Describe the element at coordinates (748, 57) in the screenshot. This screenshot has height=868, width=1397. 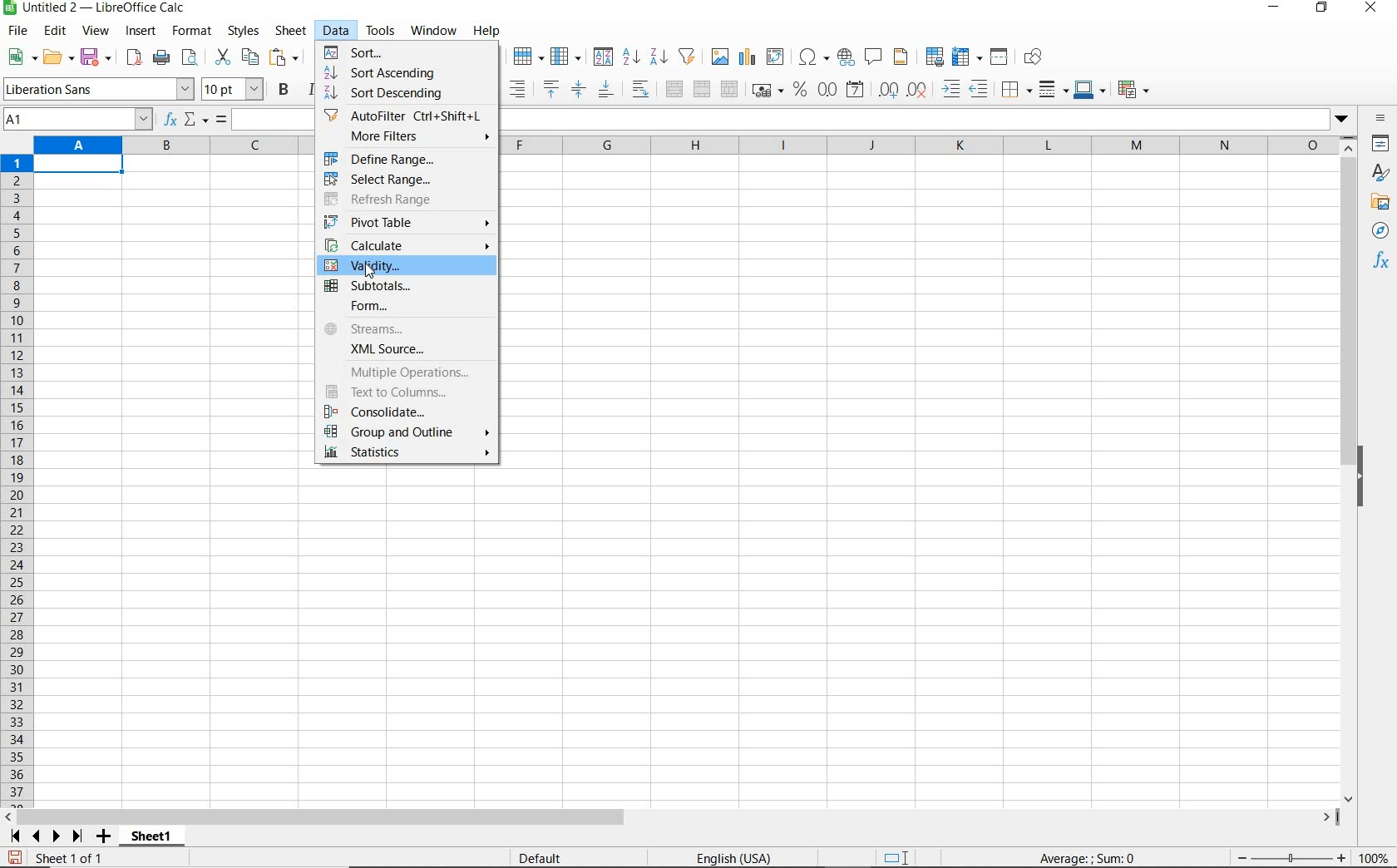
I see `insert chart` at that location.